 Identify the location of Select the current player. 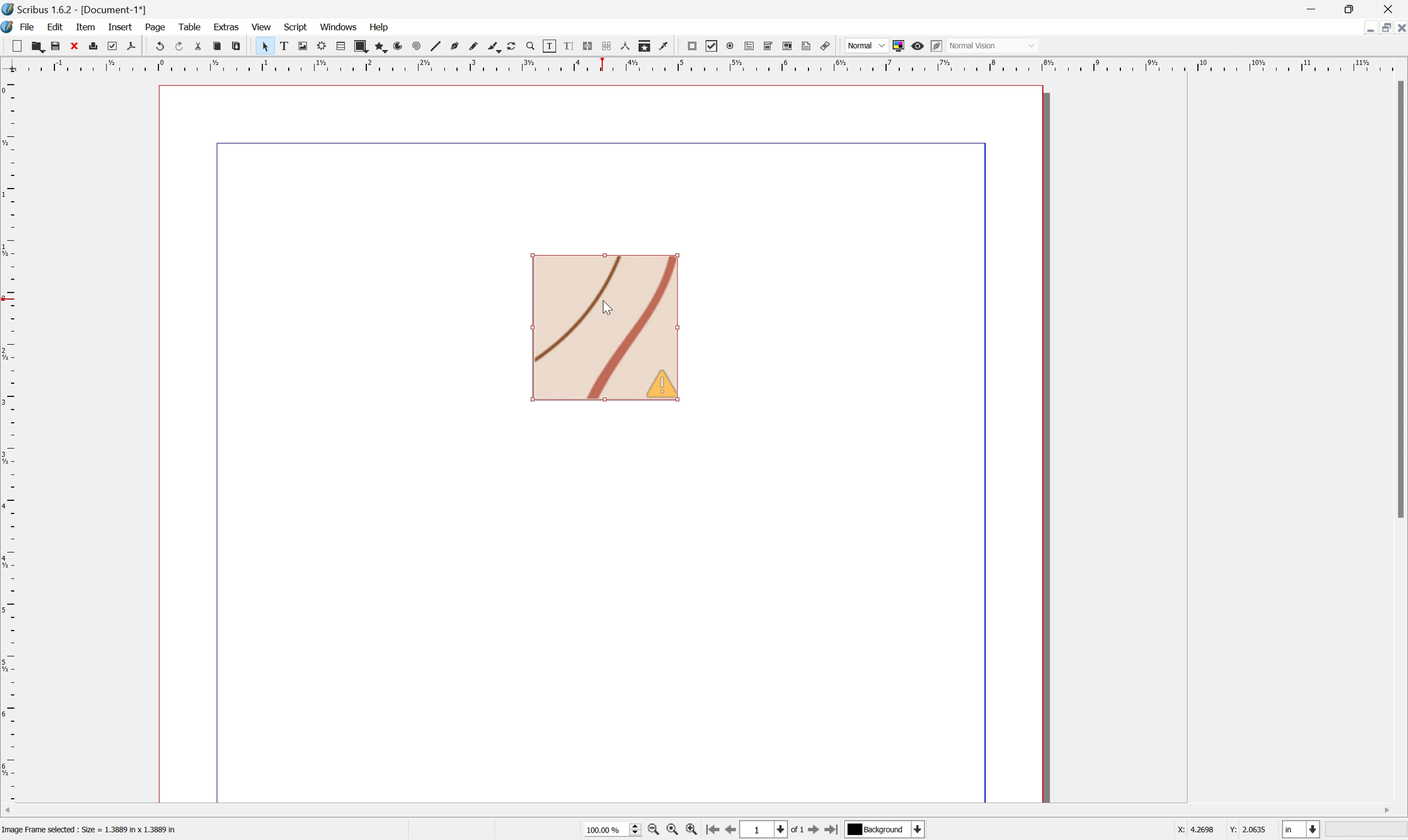
(883, 831).